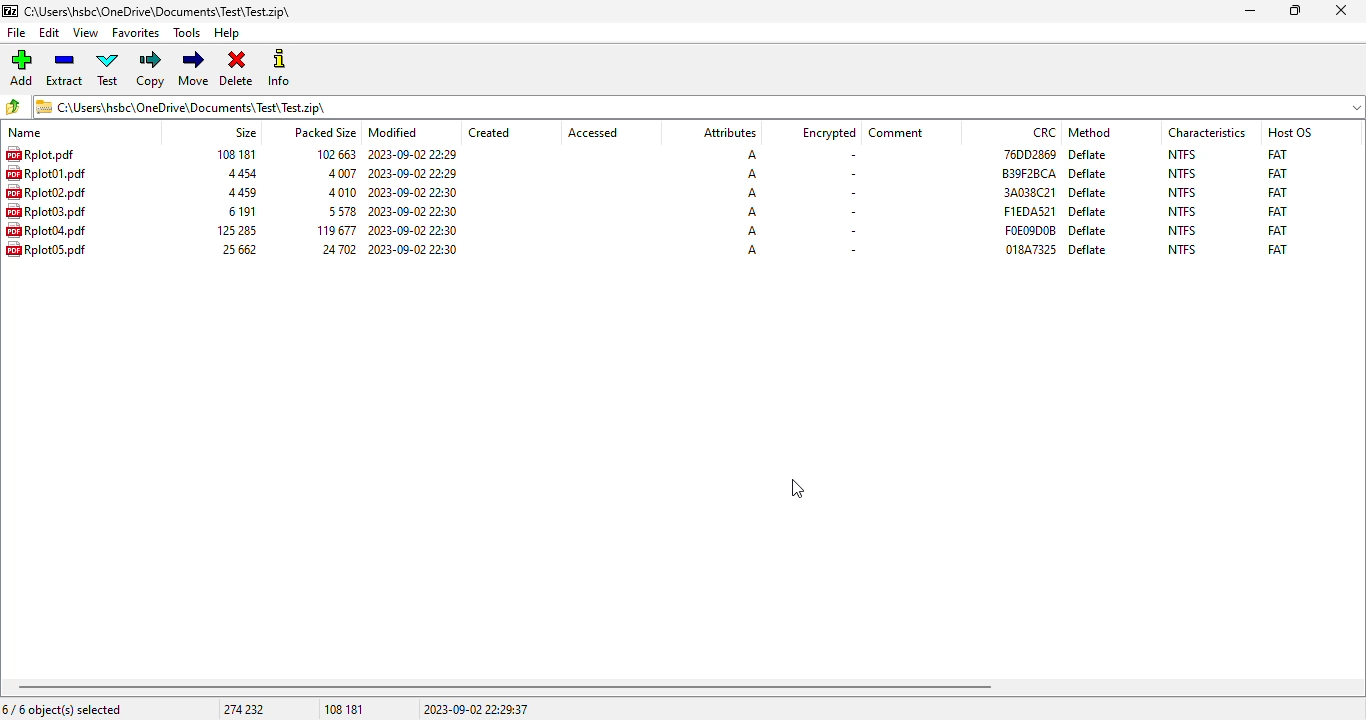  Describe the element at coordinates (699, 106) in the screenshot. I see `.zip archive` at that location.